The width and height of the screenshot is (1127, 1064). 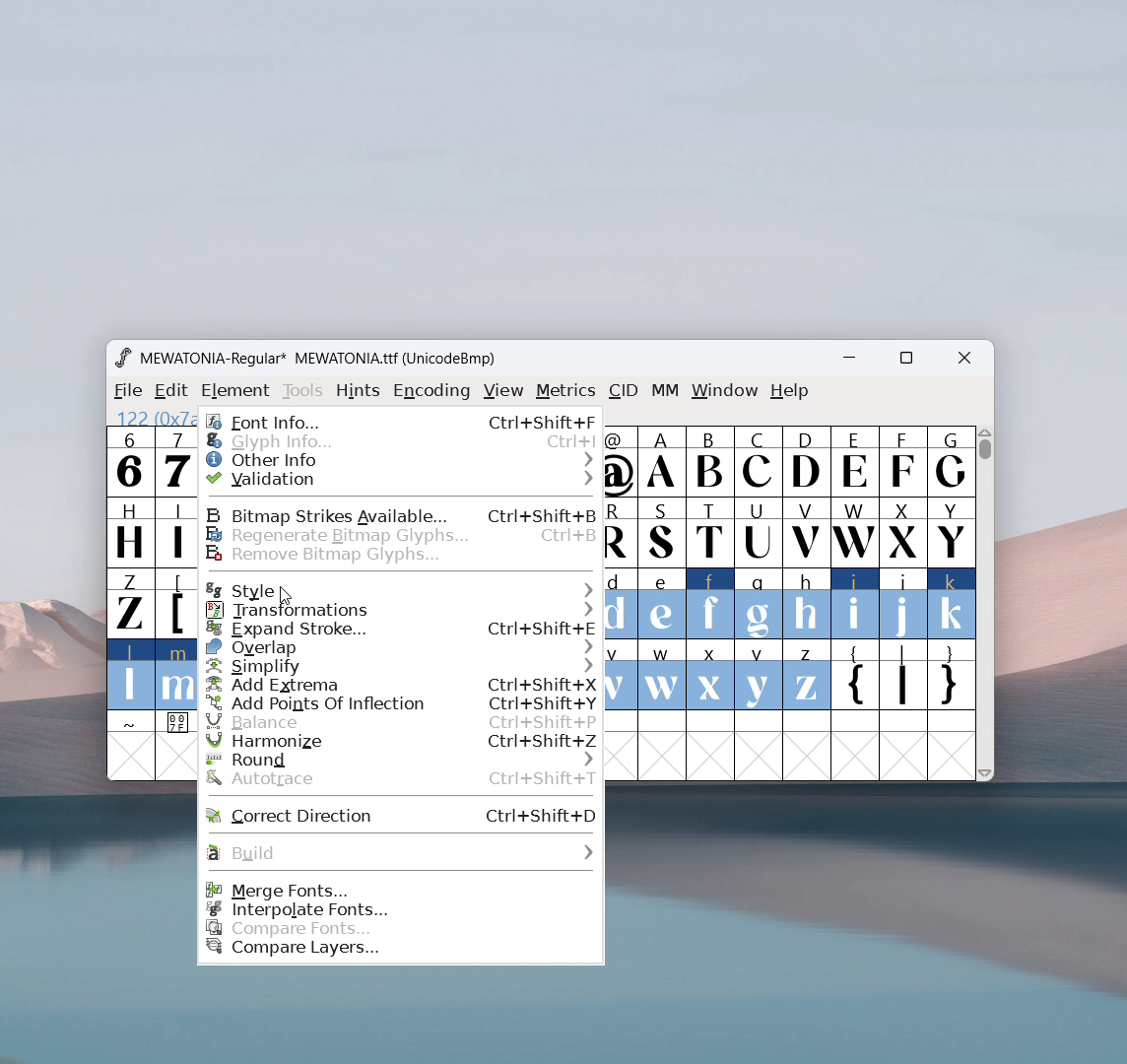 I want to click on transformations, so click(x=402, y=610).